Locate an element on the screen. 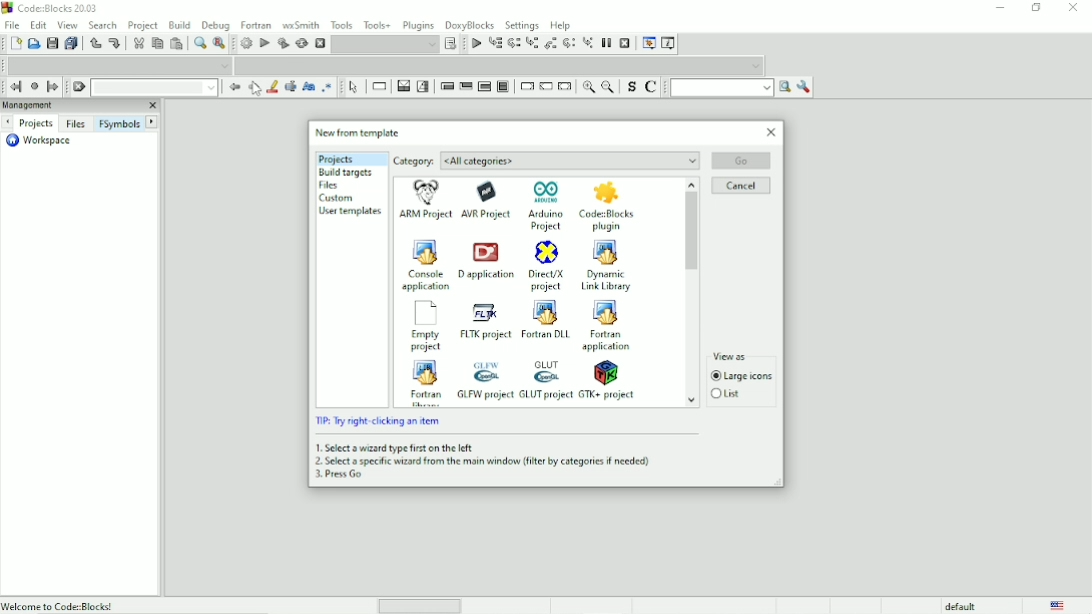  Show options window is located at coordinates (804, 87).